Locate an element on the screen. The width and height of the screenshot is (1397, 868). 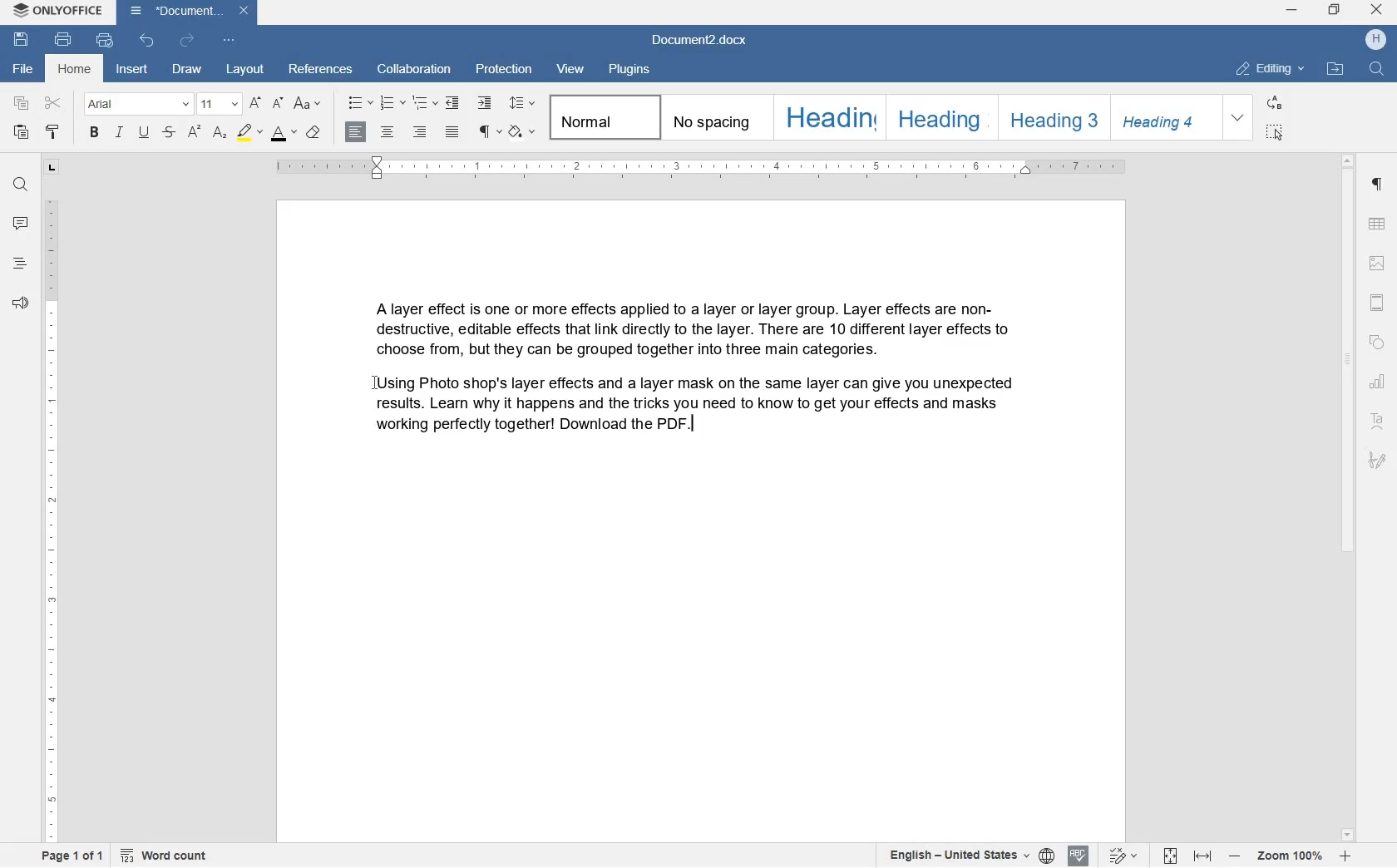
BLOCKS OF TEXT WRITTEN BY USER is located at coordinates (689, 366).